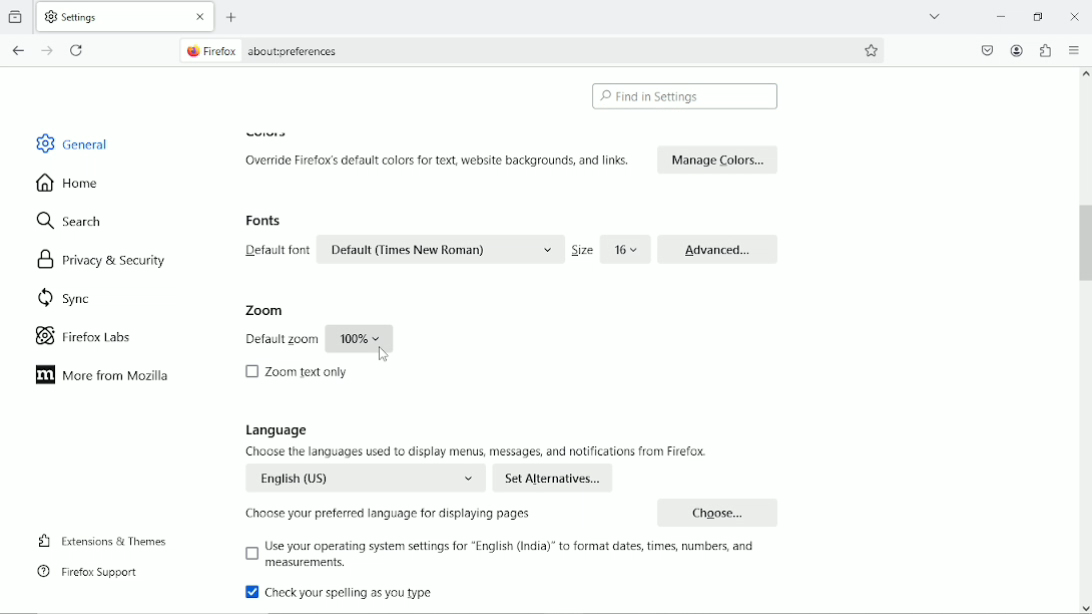 The height and width of the screenshot is (614, 1092). I want to click on Manage Colors..., so click(718, 159).